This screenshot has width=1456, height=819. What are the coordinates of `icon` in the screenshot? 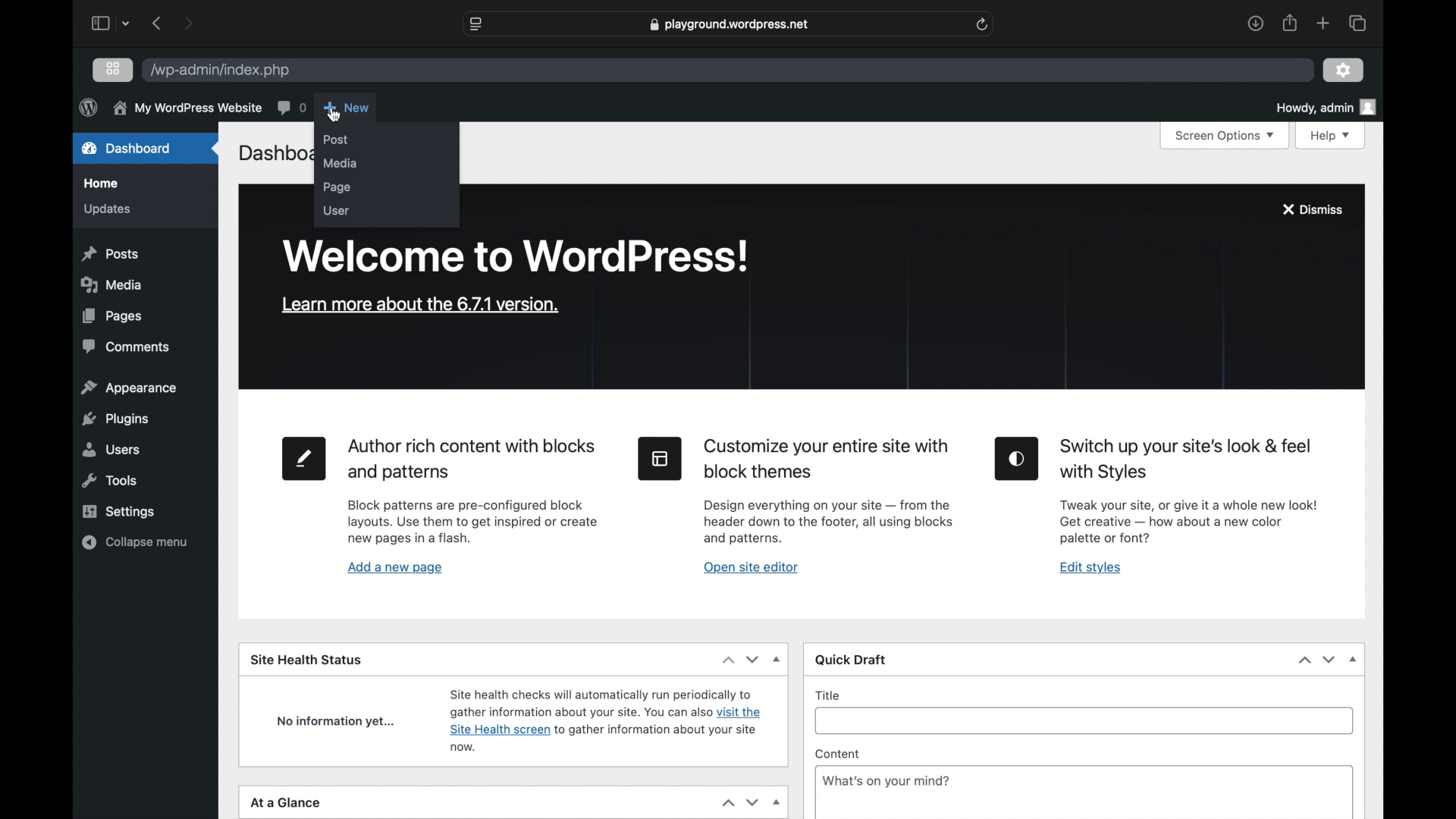 It's located at (1018, 459).